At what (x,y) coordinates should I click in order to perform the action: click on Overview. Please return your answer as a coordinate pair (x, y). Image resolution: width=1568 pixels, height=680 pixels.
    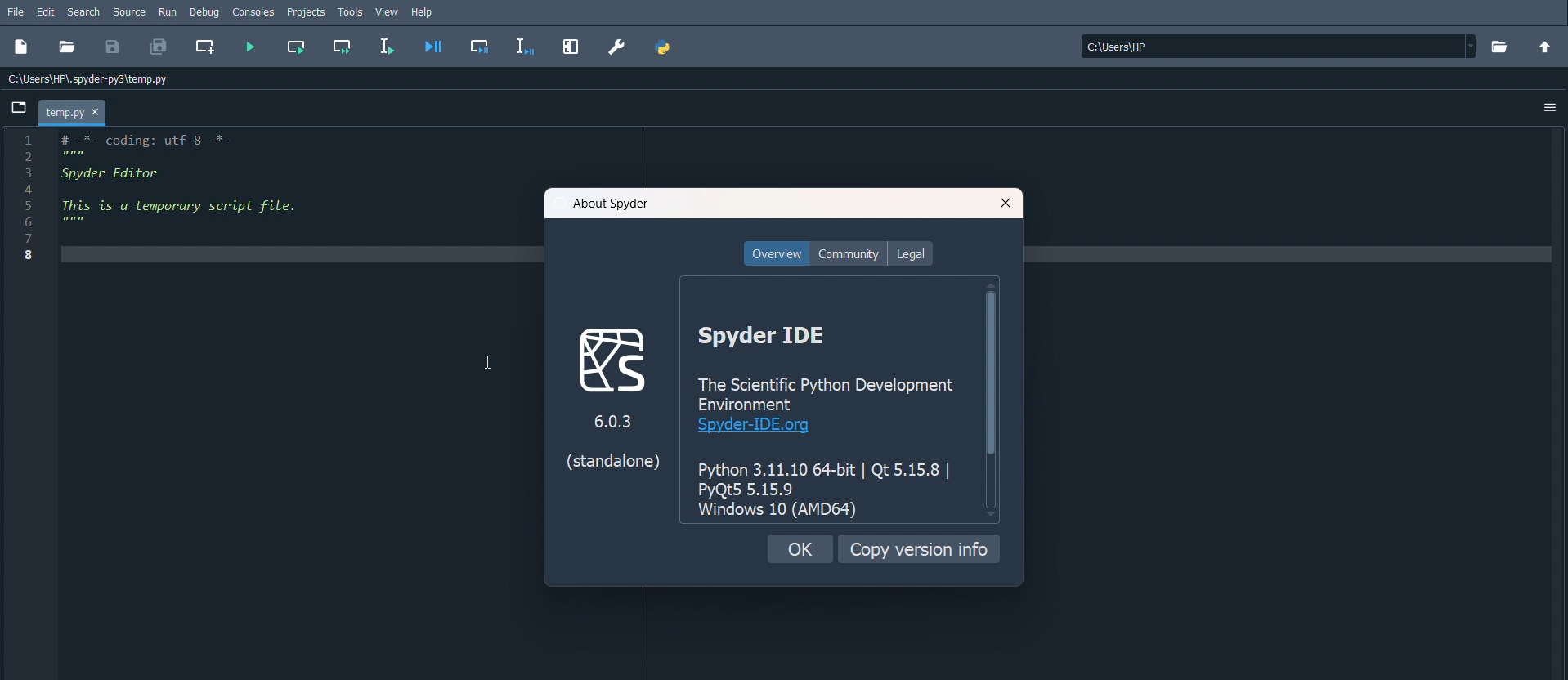
    Looking at the image, I should click on (777, 253).